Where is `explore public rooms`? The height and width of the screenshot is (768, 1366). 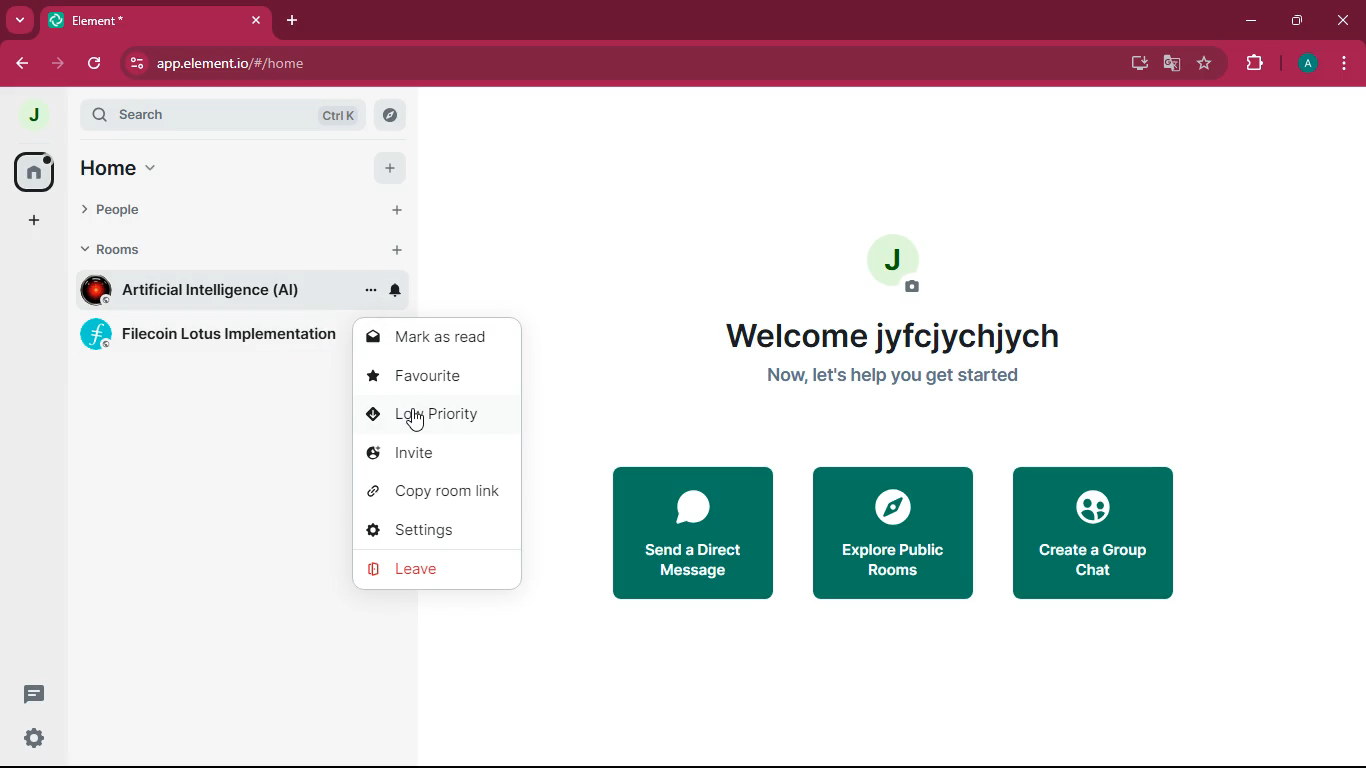 explore public rooms is located at coordinates (892, 537).